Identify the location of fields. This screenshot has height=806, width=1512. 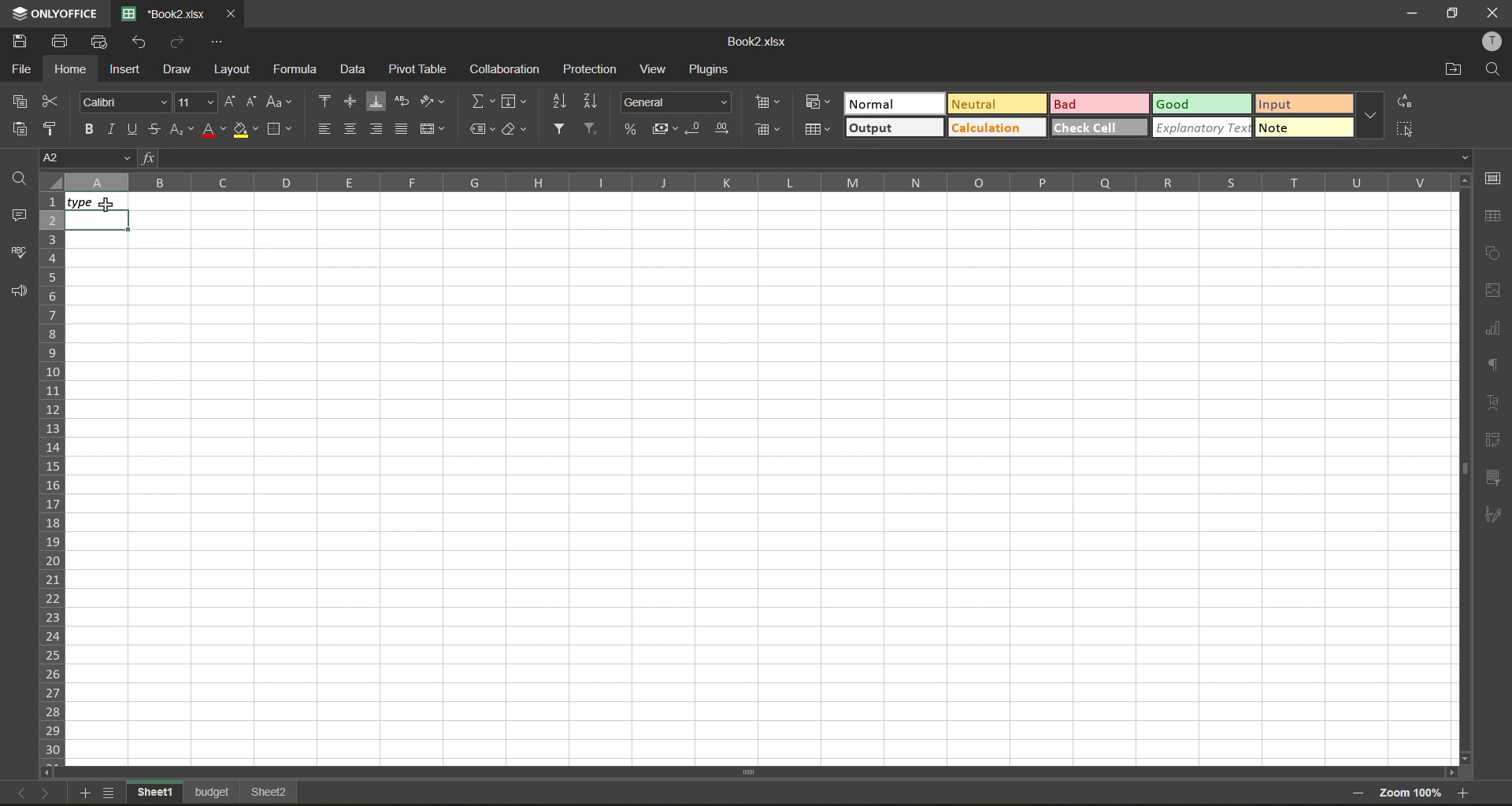
(513, 102).